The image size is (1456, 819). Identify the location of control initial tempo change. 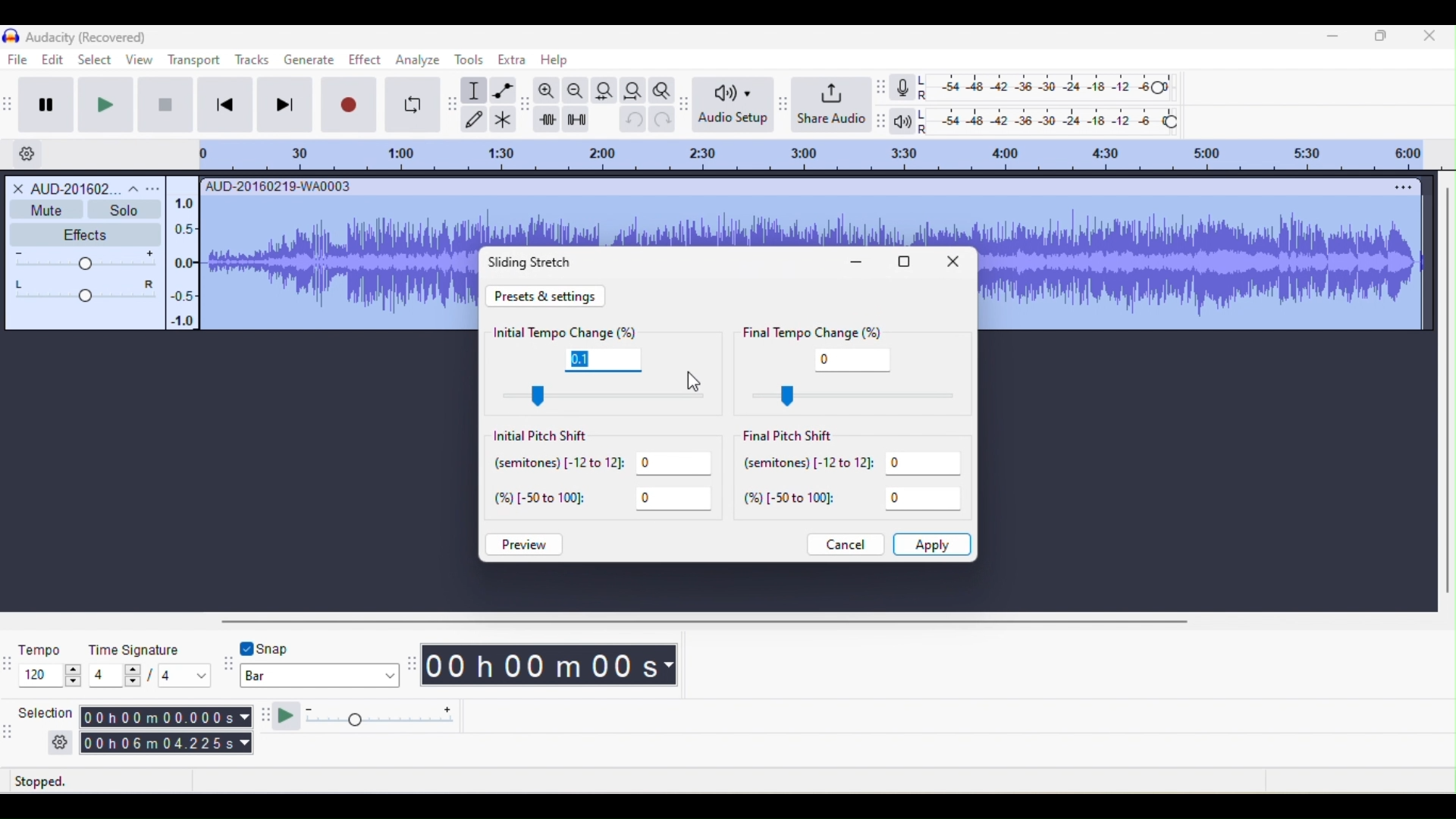
(616, 394).